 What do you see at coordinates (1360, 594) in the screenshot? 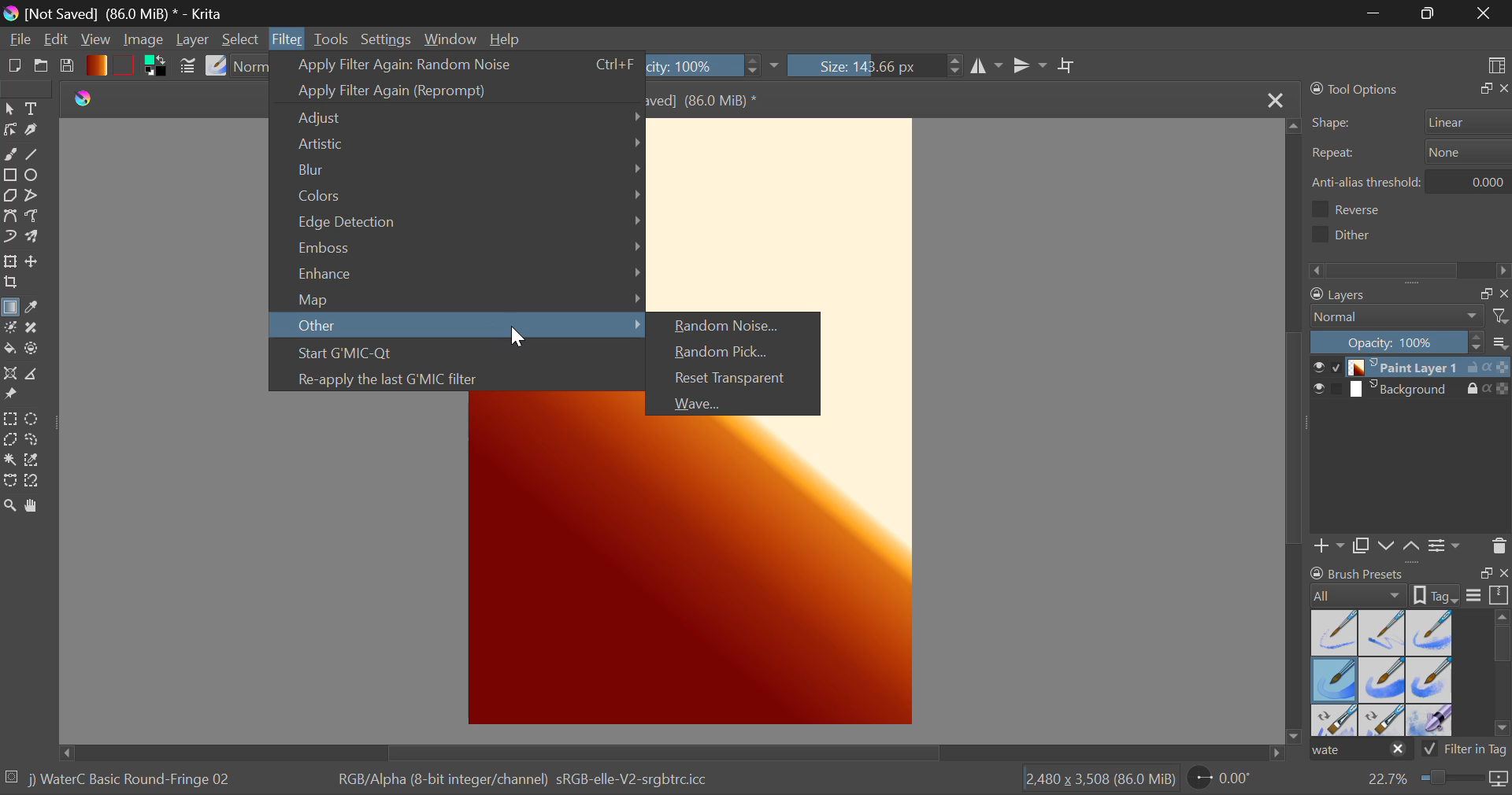
I see `brush preset settings` at bounding box center [1360, 594].